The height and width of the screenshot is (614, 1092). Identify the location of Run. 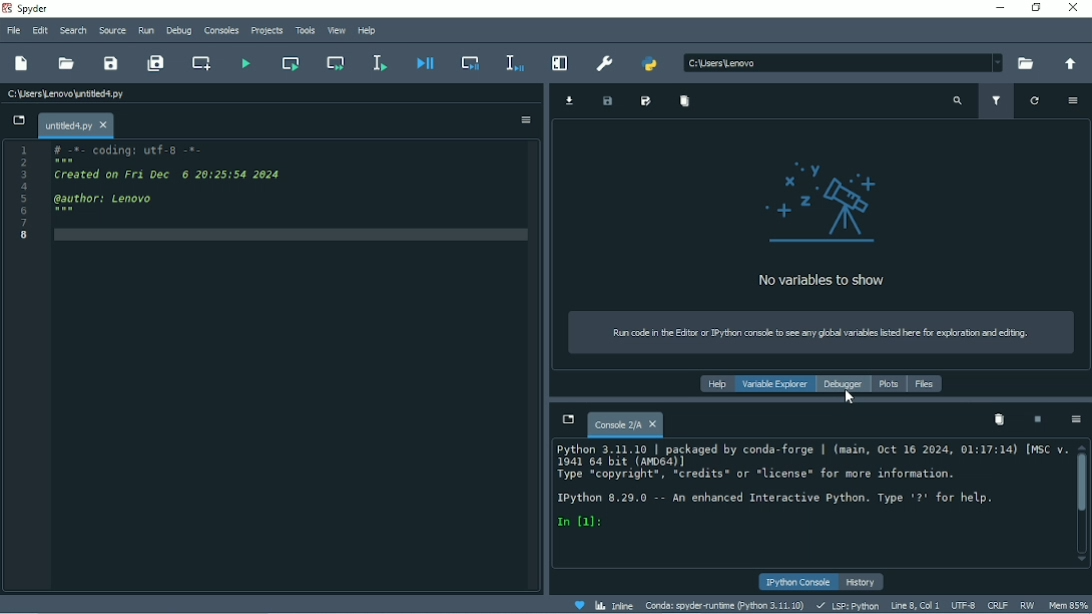
(147, 29).